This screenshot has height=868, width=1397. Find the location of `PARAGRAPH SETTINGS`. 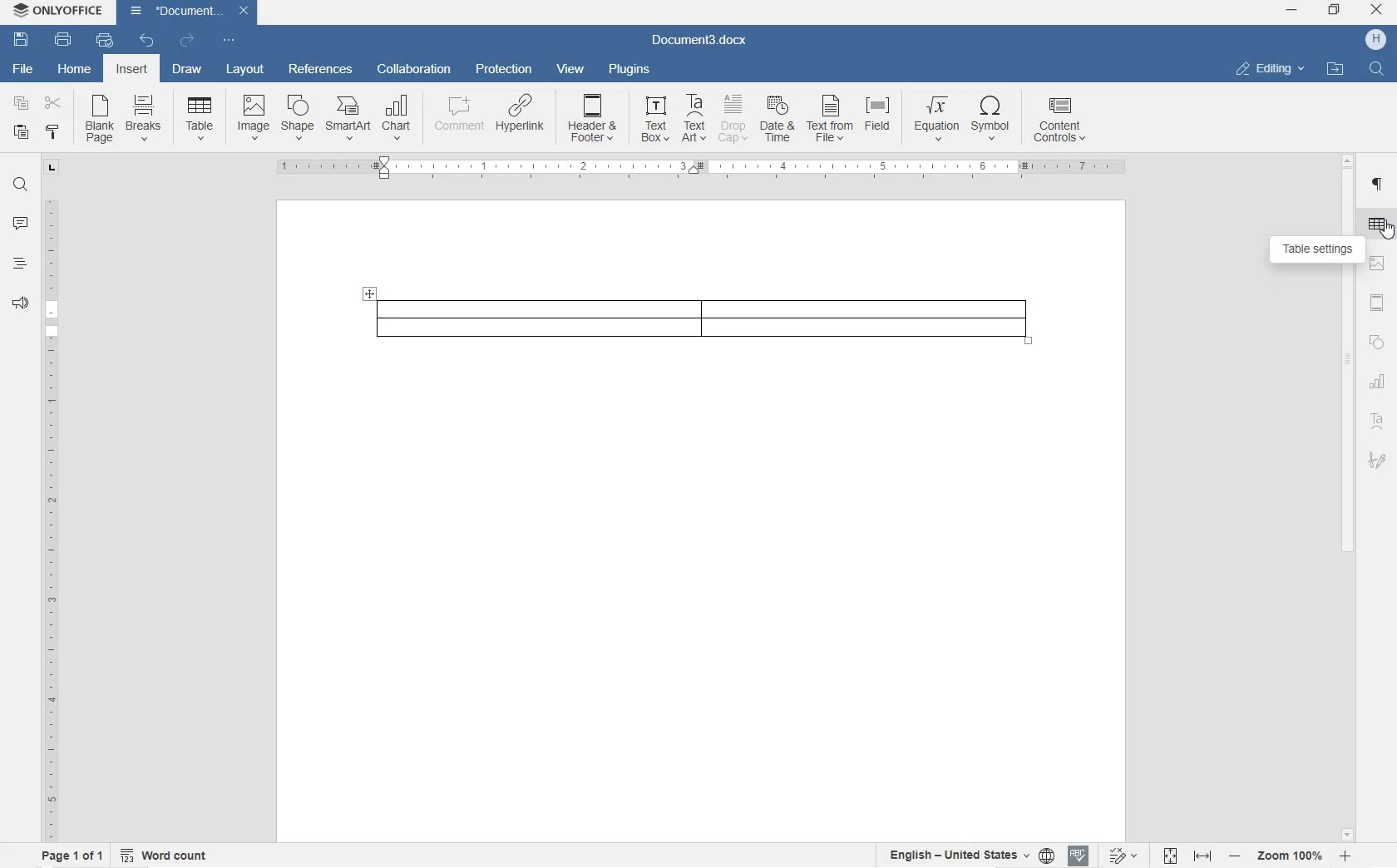

PARAGRAPH SETTINGS is located at coordinates (1380, 186).